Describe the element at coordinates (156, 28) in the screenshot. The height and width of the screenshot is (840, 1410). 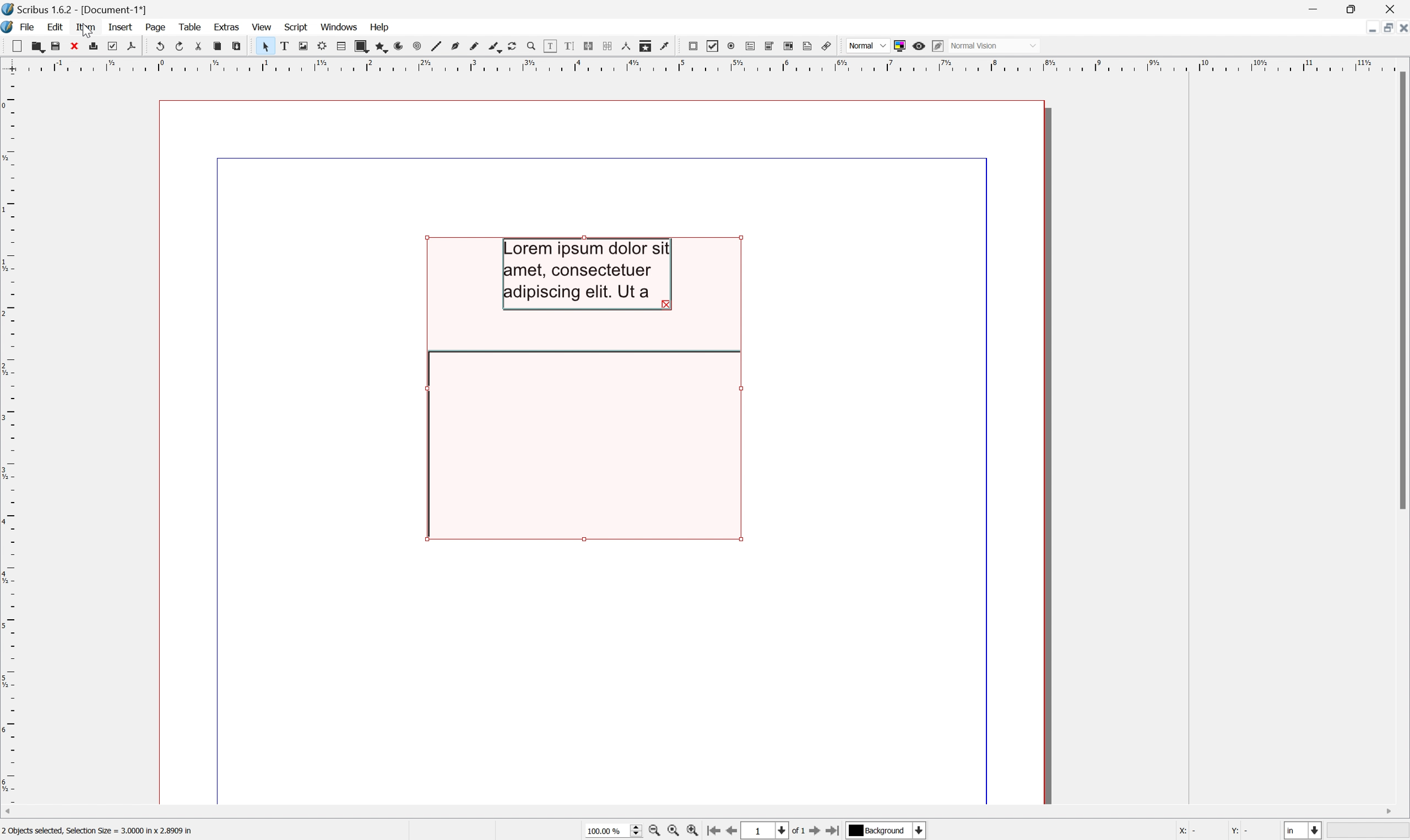
I see `Page` at that location.